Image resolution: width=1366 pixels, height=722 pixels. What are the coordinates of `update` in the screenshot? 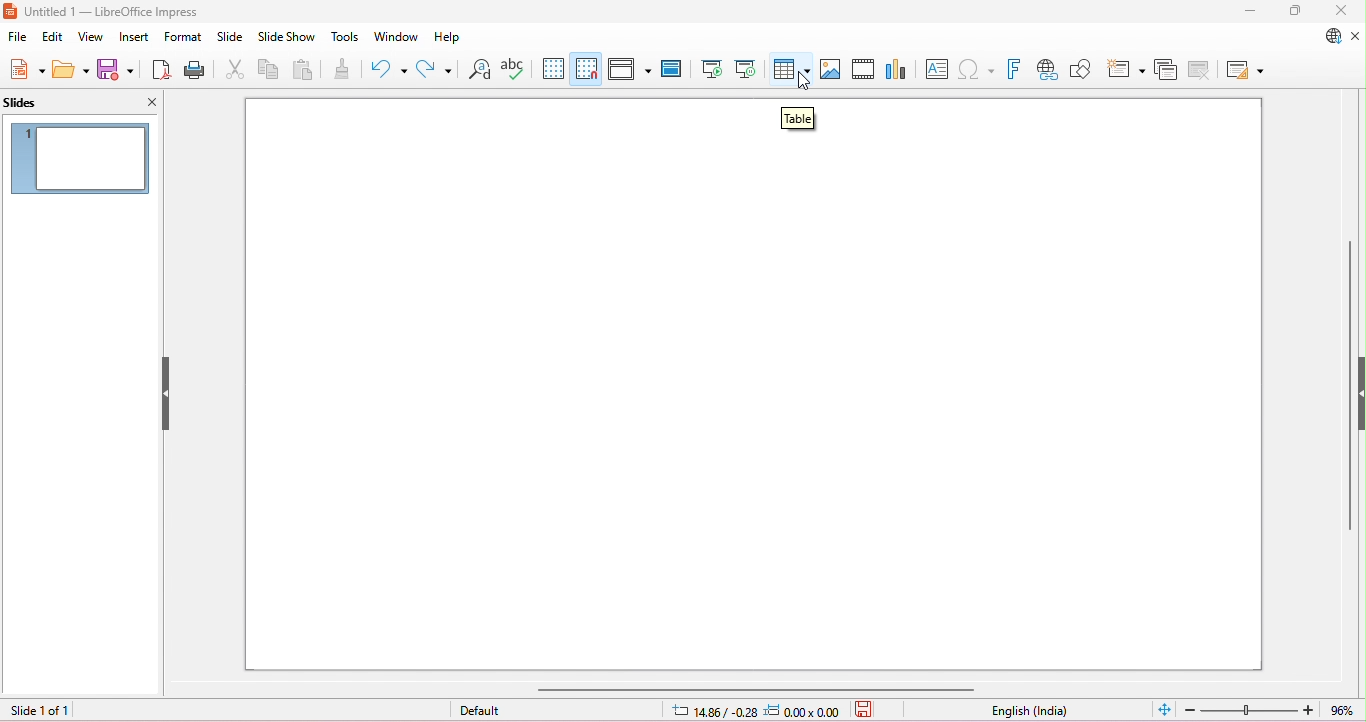 It's located at (1329, 36).